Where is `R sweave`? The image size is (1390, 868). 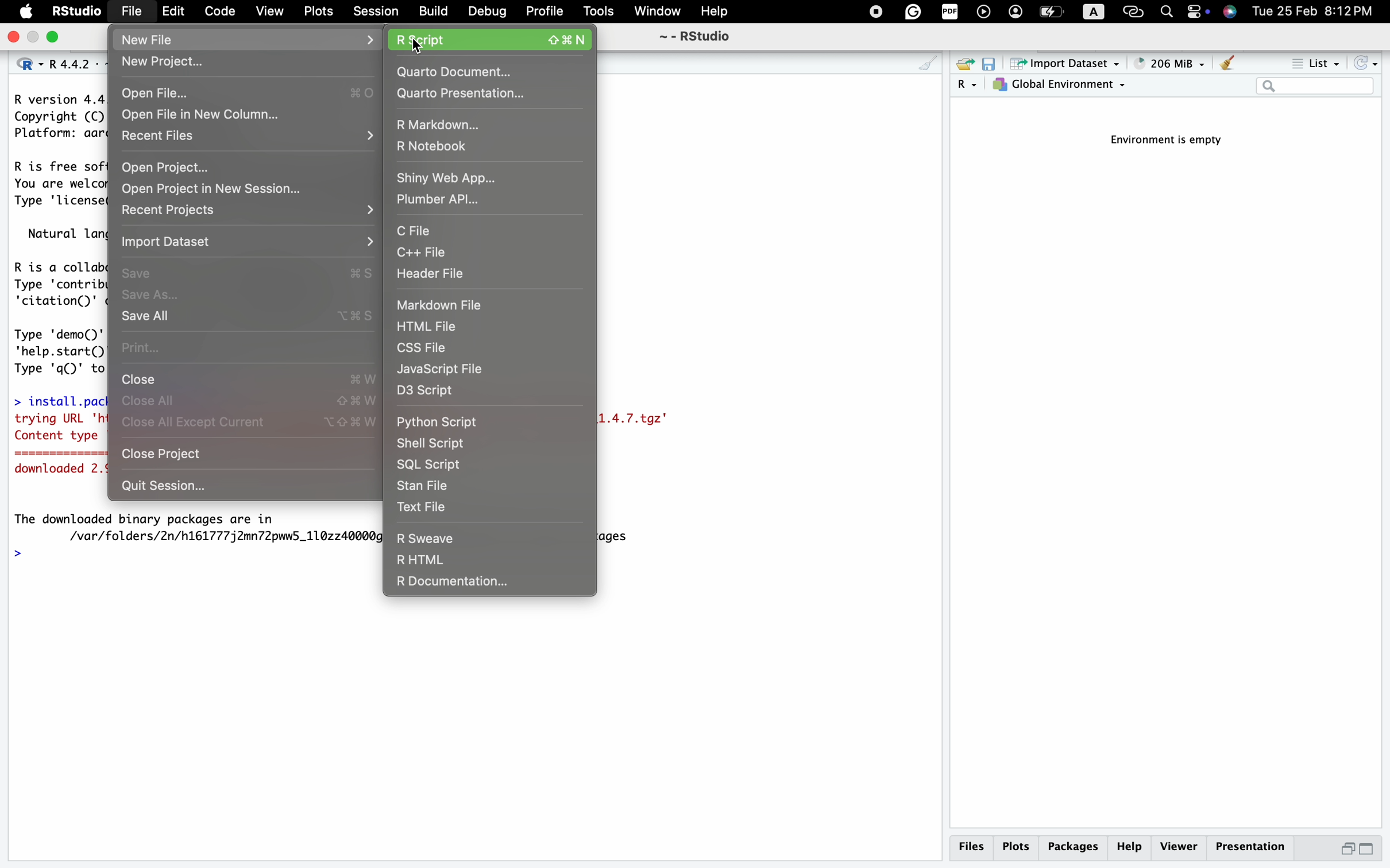 R sweave is located at coordinates (461, 536).